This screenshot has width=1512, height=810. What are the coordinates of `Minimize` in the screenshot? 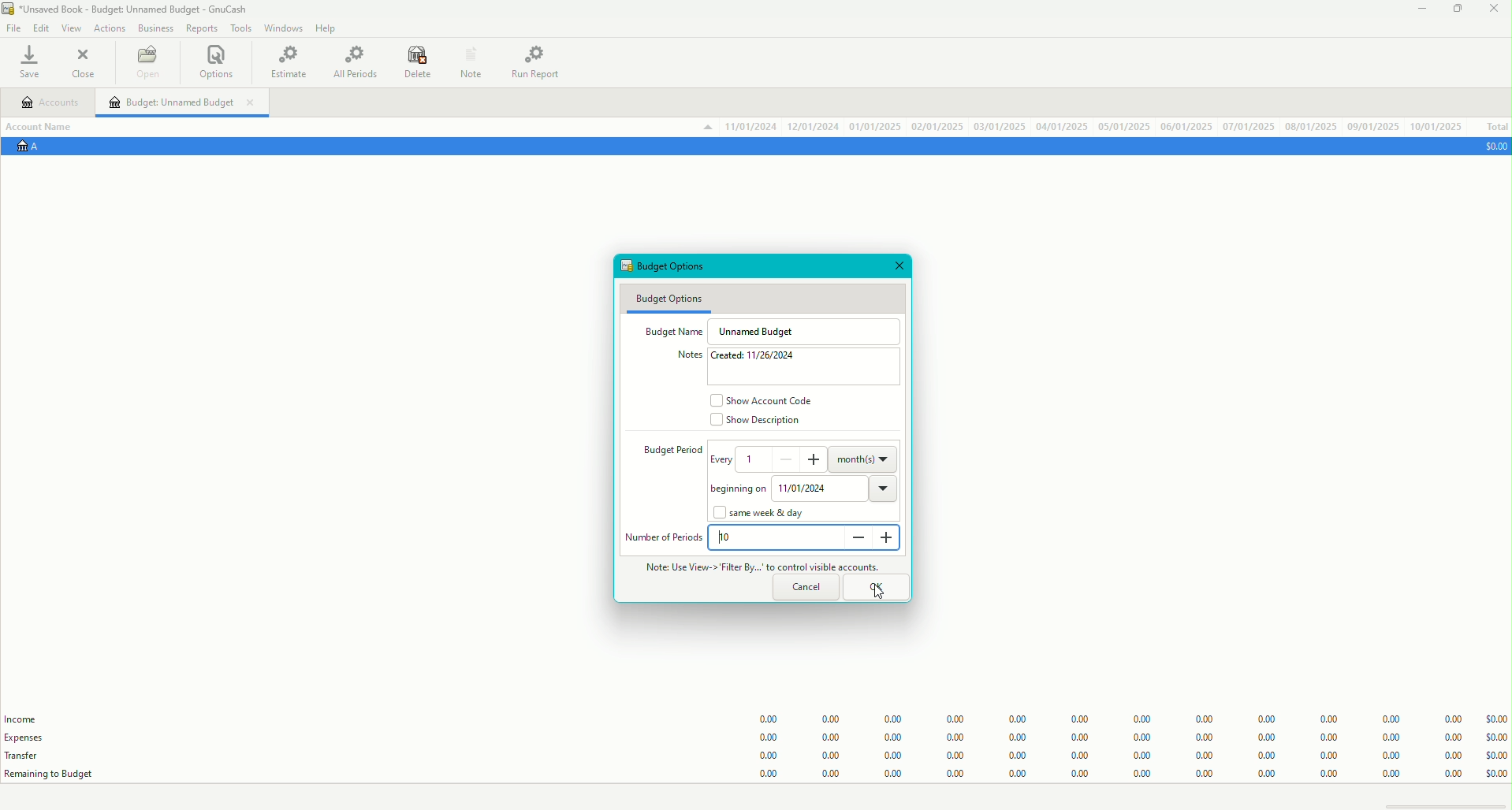 It's located at (1420, 12).